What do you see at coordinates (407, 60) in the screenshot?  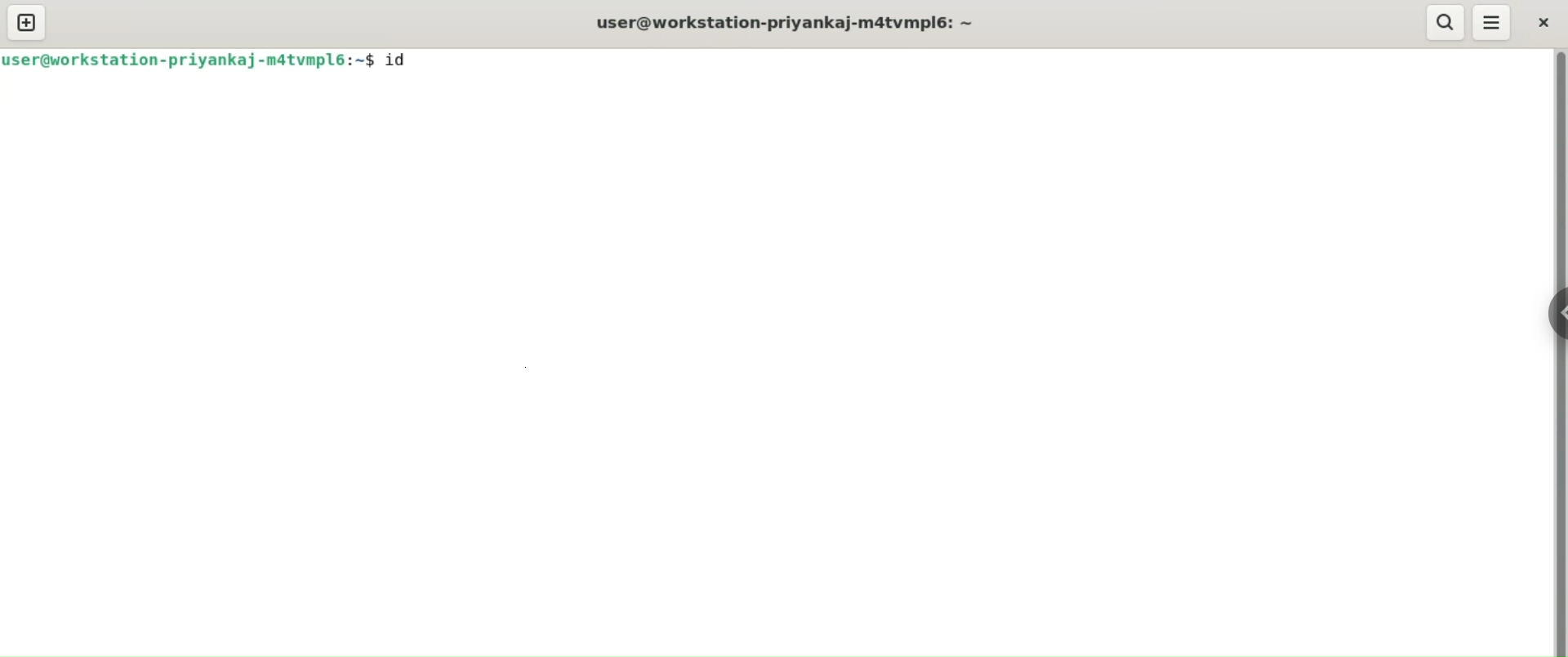 I see `command: id` at bounding box center [407, 60].